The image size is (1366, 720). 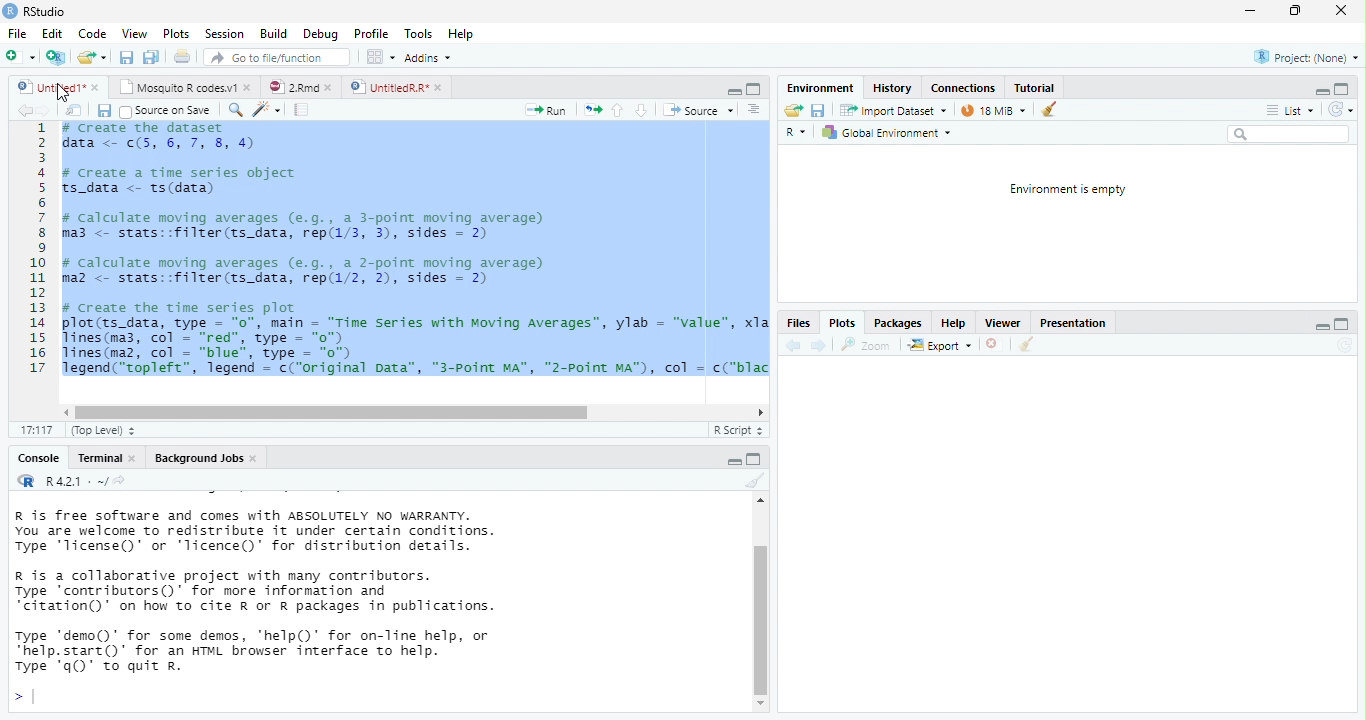 I want to click on New file, so click(x=19, y=57).